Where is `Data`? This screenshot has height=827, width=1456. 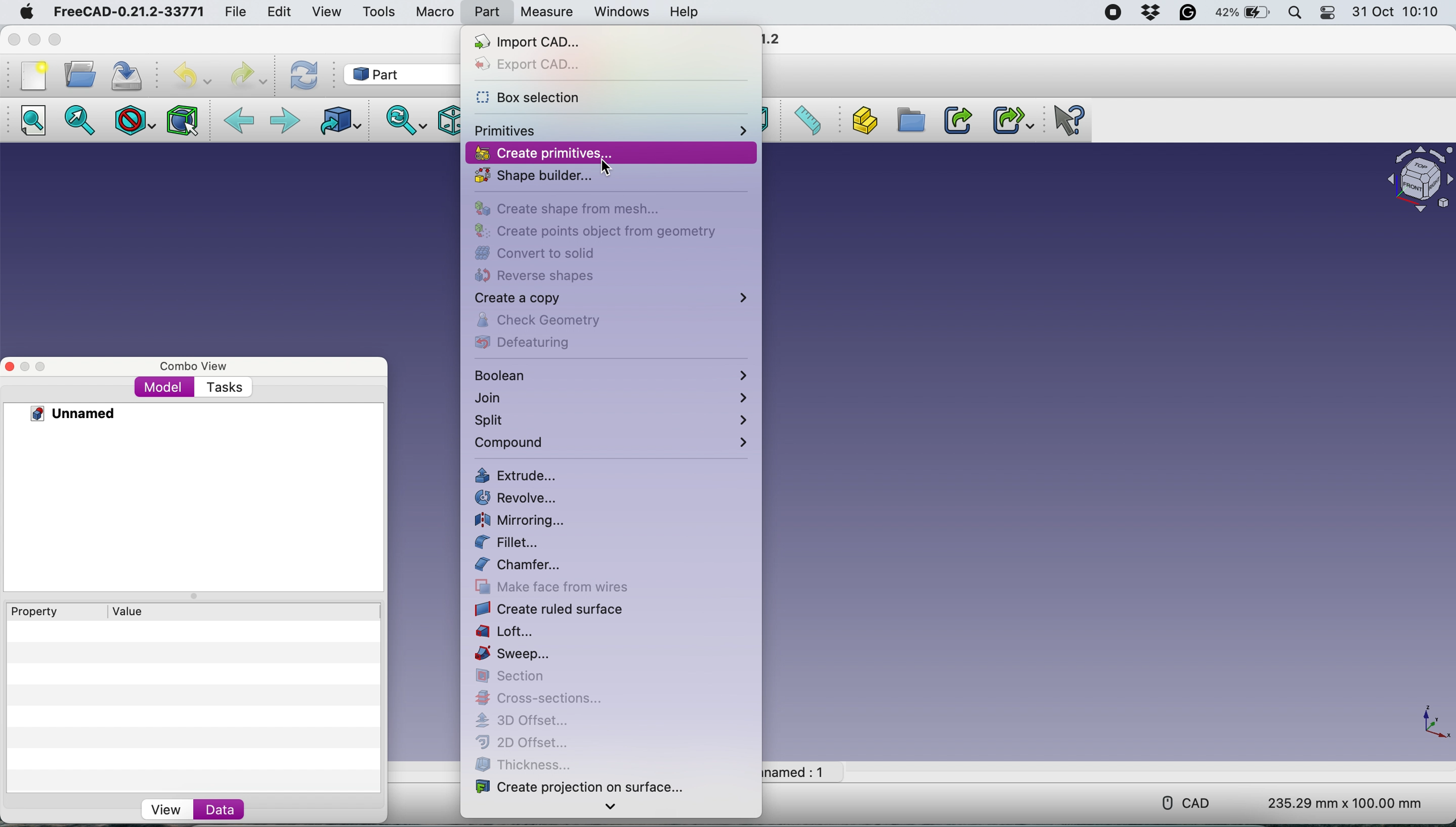
Data is located at coordinates (222, 808).